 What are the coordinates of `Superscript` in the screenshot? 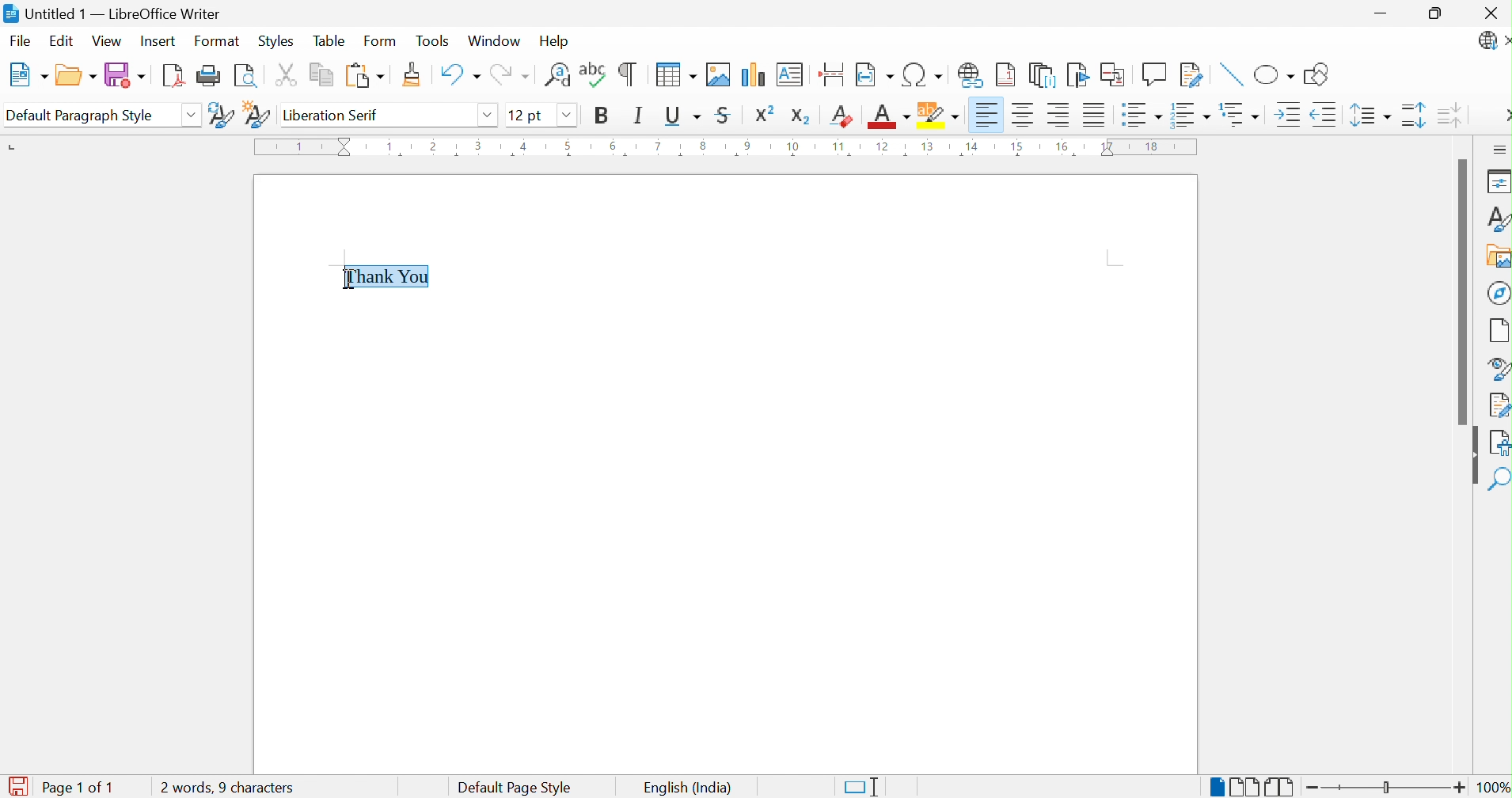 It's located at (765, 114).